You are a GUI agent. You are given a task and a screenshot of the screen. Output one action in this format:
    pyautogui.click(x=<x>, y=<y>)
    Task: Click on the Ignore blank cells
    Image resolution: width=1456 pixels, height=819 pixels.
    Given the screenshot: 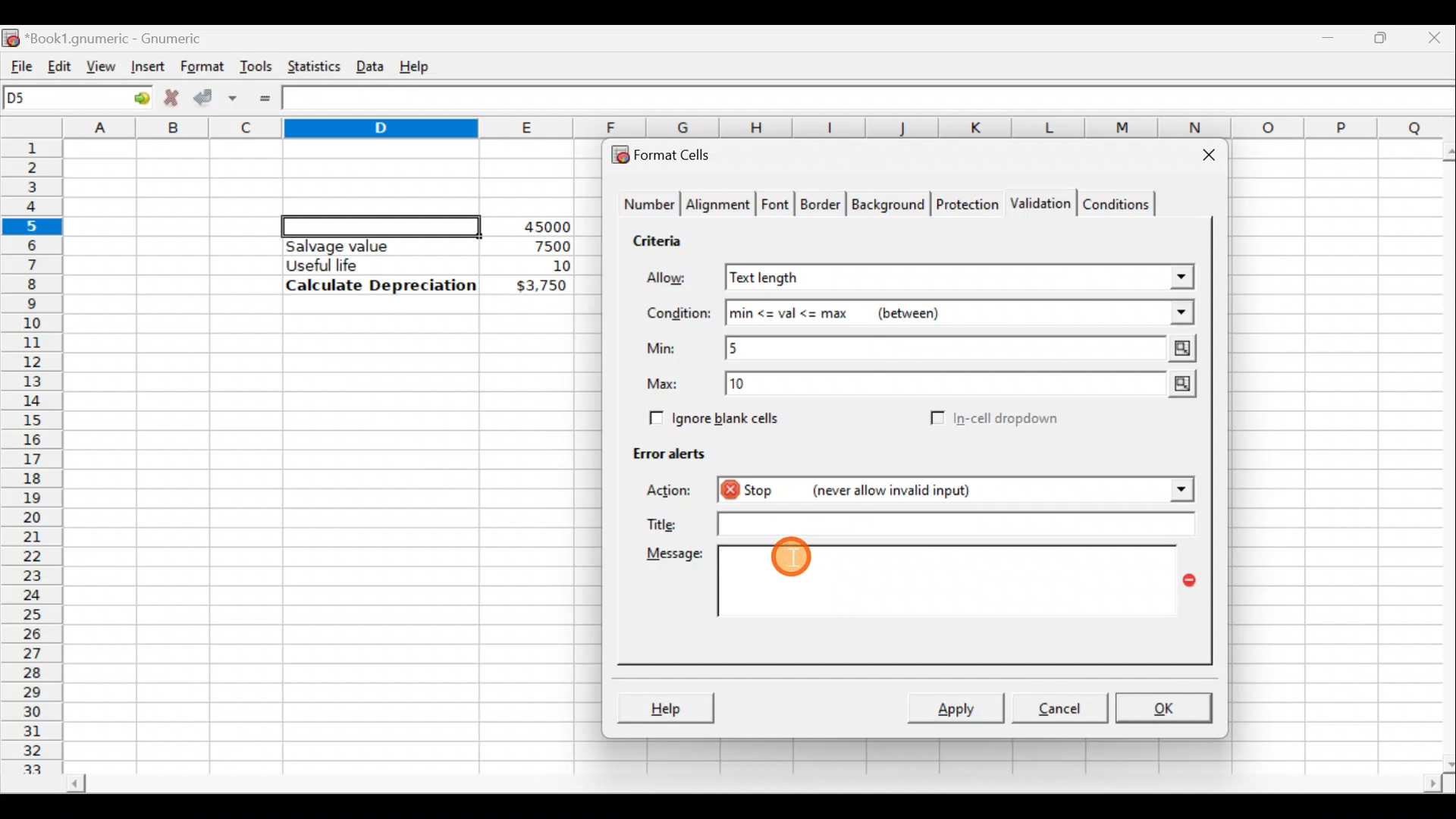 What is the action you would take?
    pyautogui.click(x=711, y=416)
    